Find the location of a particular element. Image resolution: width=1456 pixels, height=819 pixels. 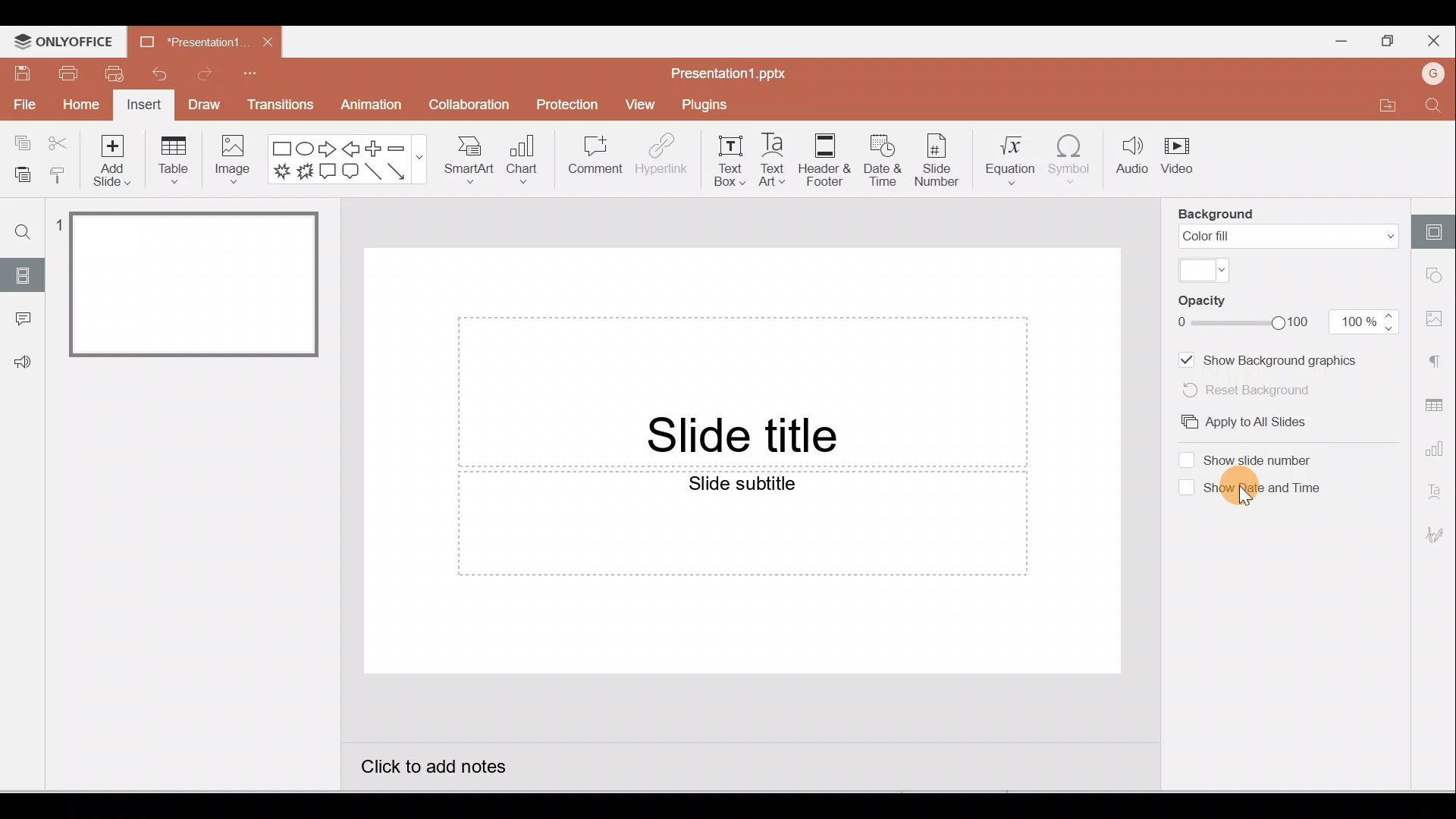

Rectangle is located at coordinates (281, 147).